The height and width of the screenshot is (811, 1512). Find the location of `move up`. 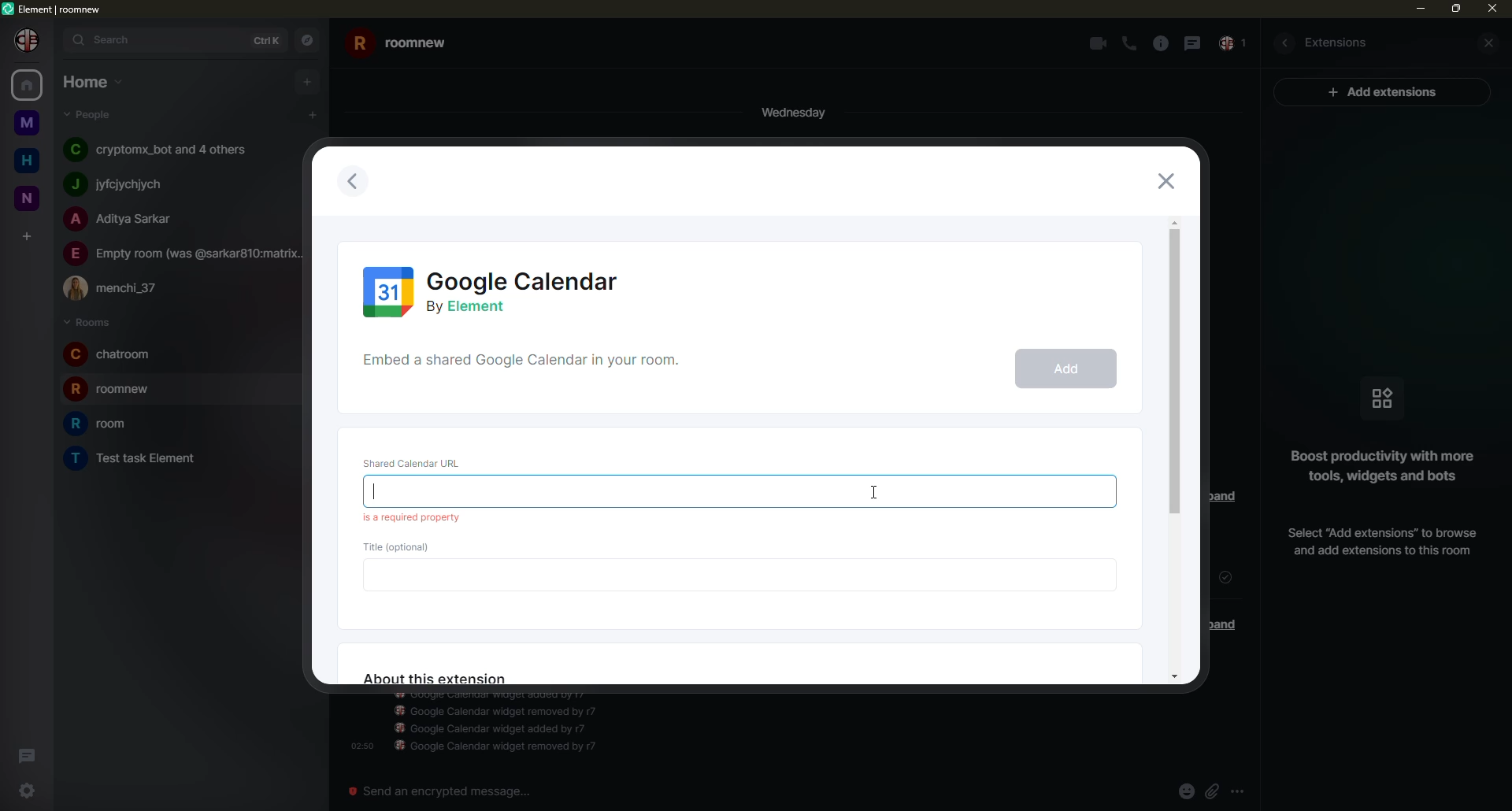

move up is located at coordinates (1176, 221).